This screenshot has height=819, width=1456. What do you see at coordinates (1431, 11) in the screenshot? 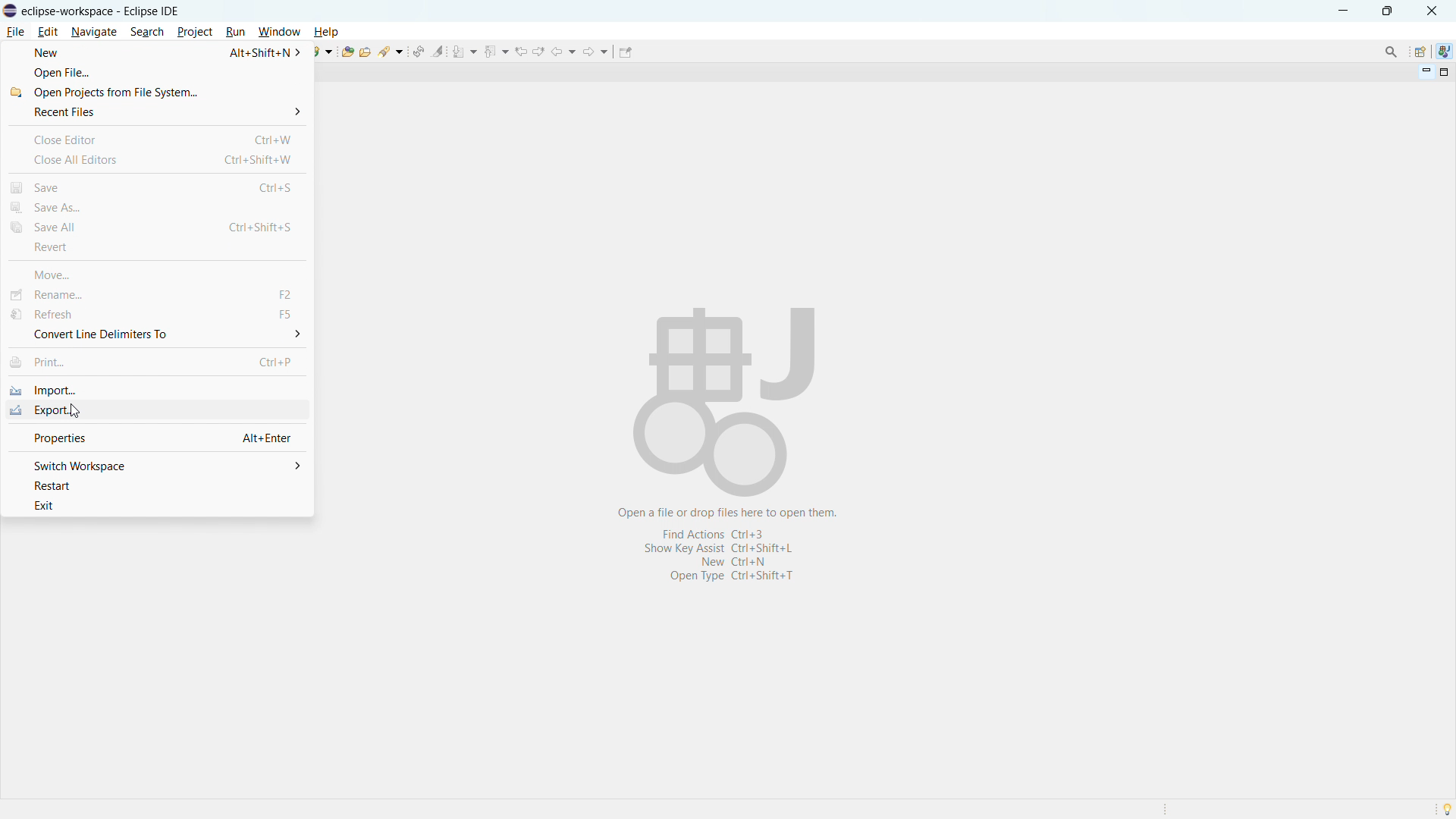
I see `close` at bounding box center [1431, 11].